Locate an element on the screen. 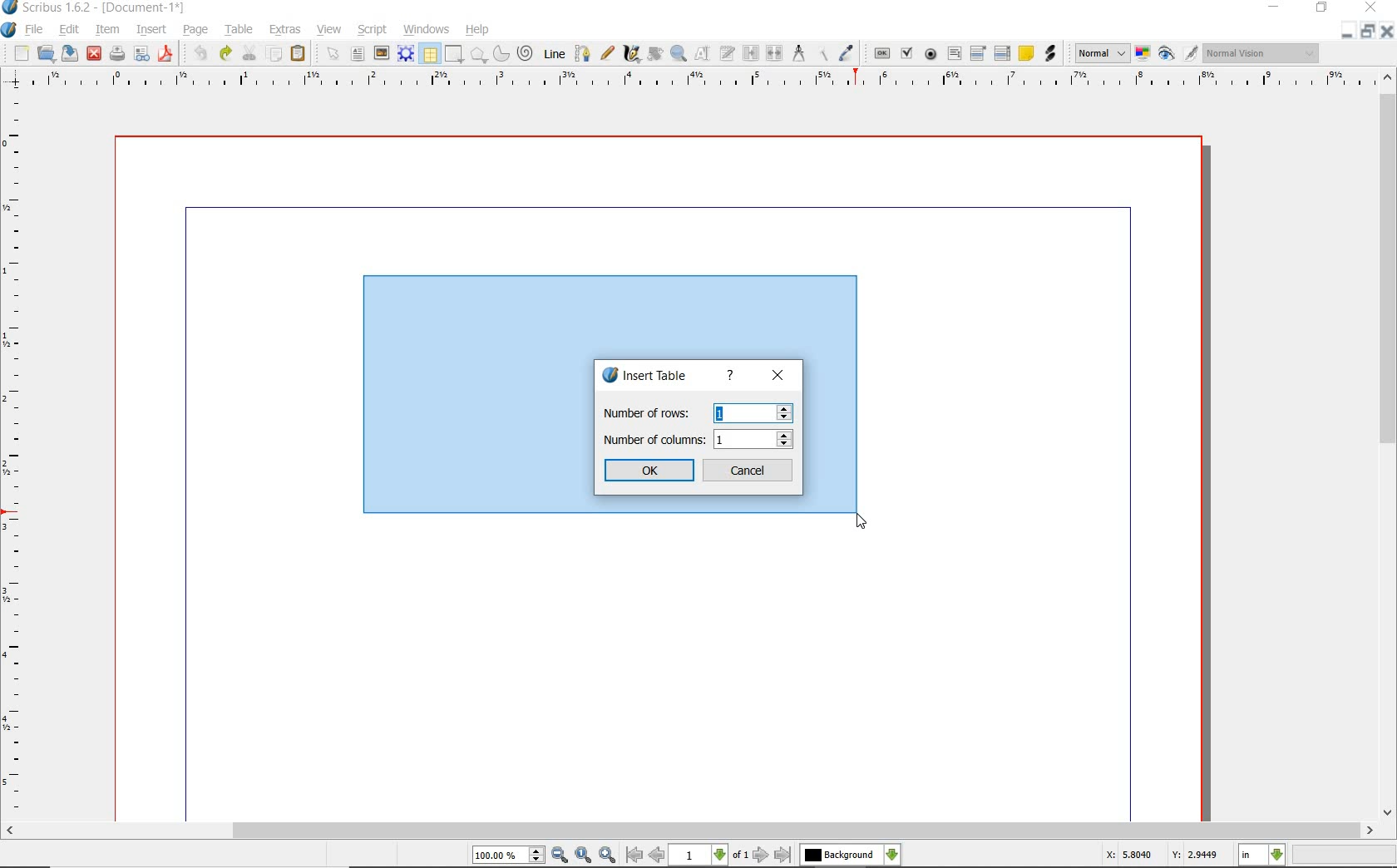  help is located at coordinates (731, 376).